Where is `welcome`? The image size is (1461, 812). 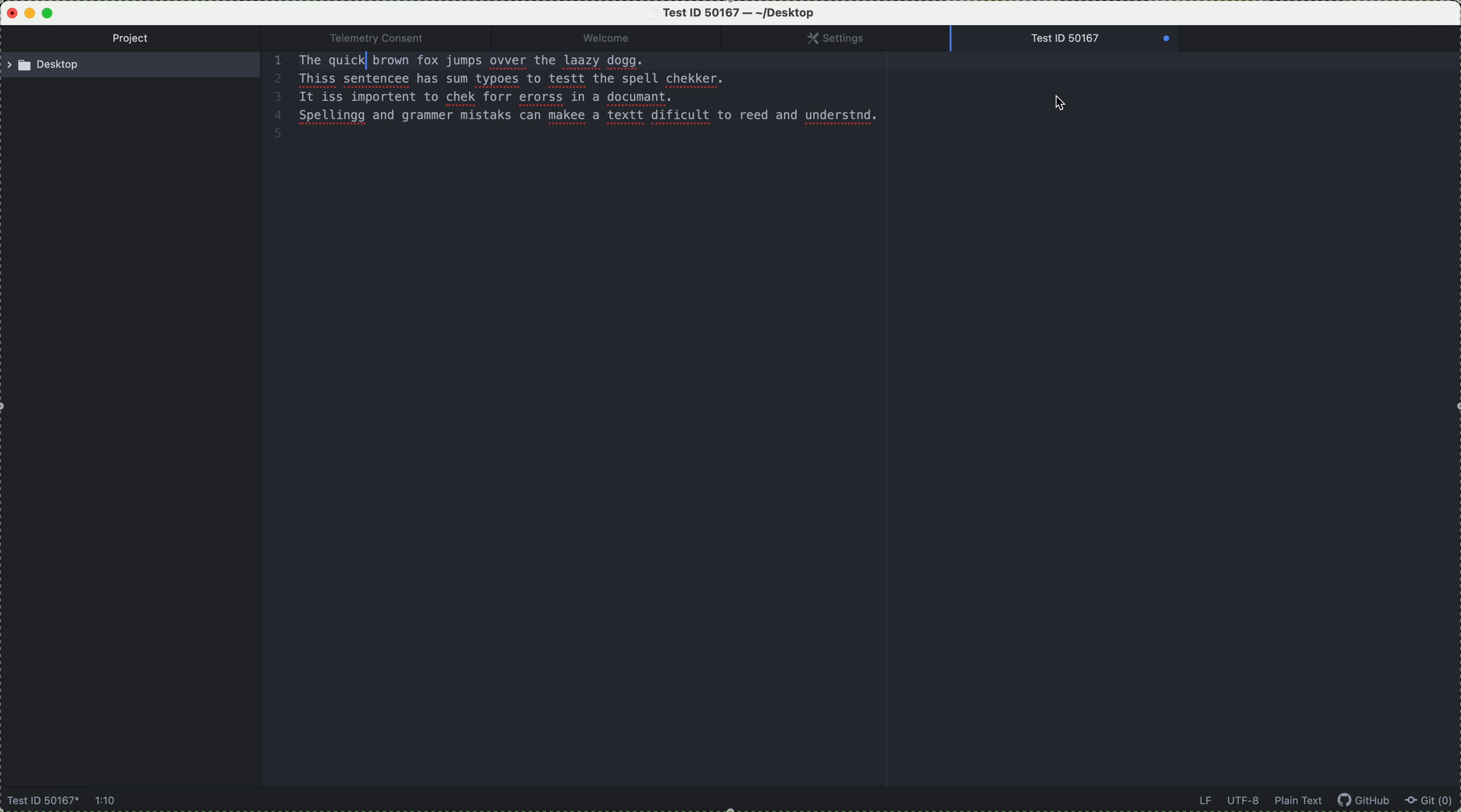
welcome is located at coordinates (624, 39).